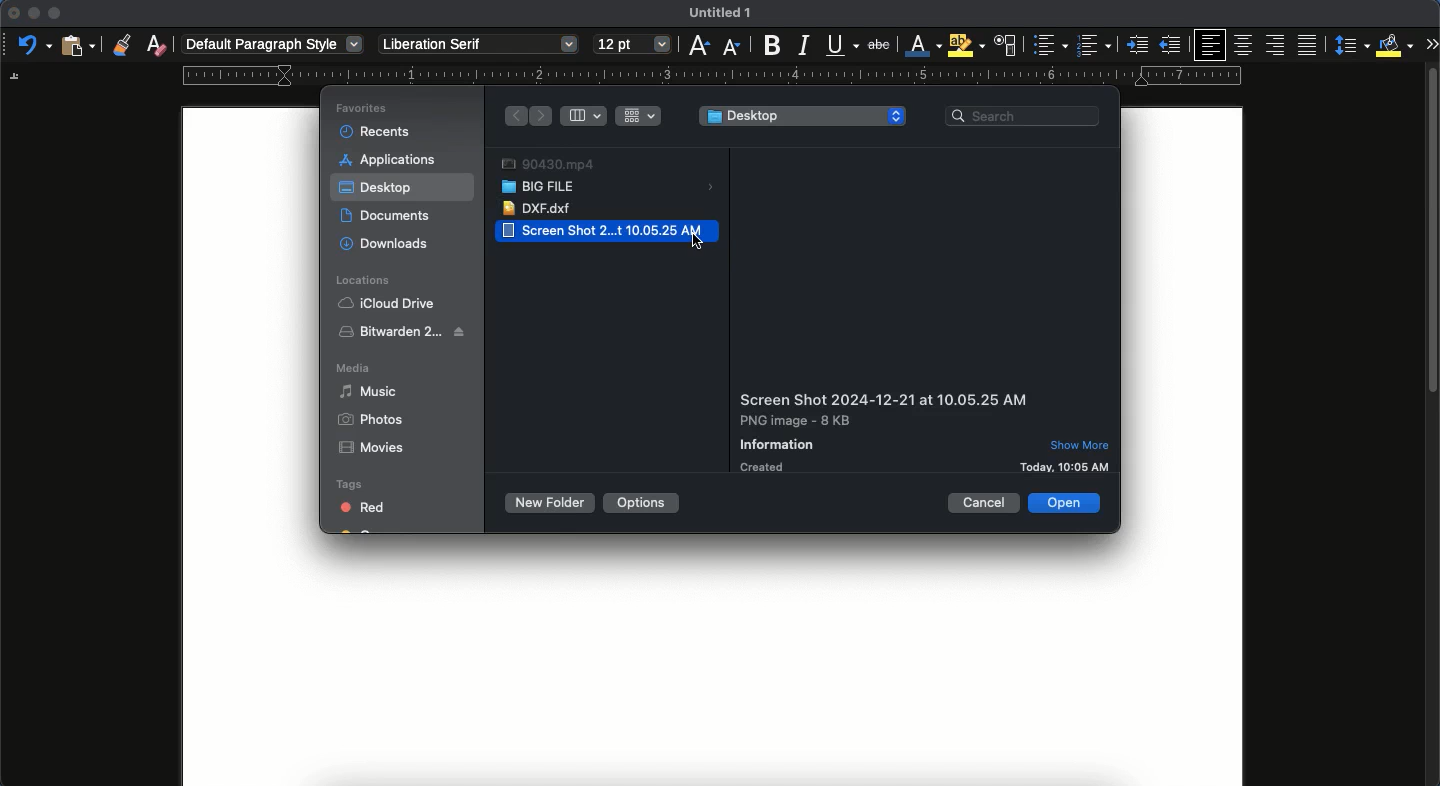 The image size is (1440, 786). Describe the element at coordinates (156, 44) in the screenshot. I see `clear formatting ` at that location.